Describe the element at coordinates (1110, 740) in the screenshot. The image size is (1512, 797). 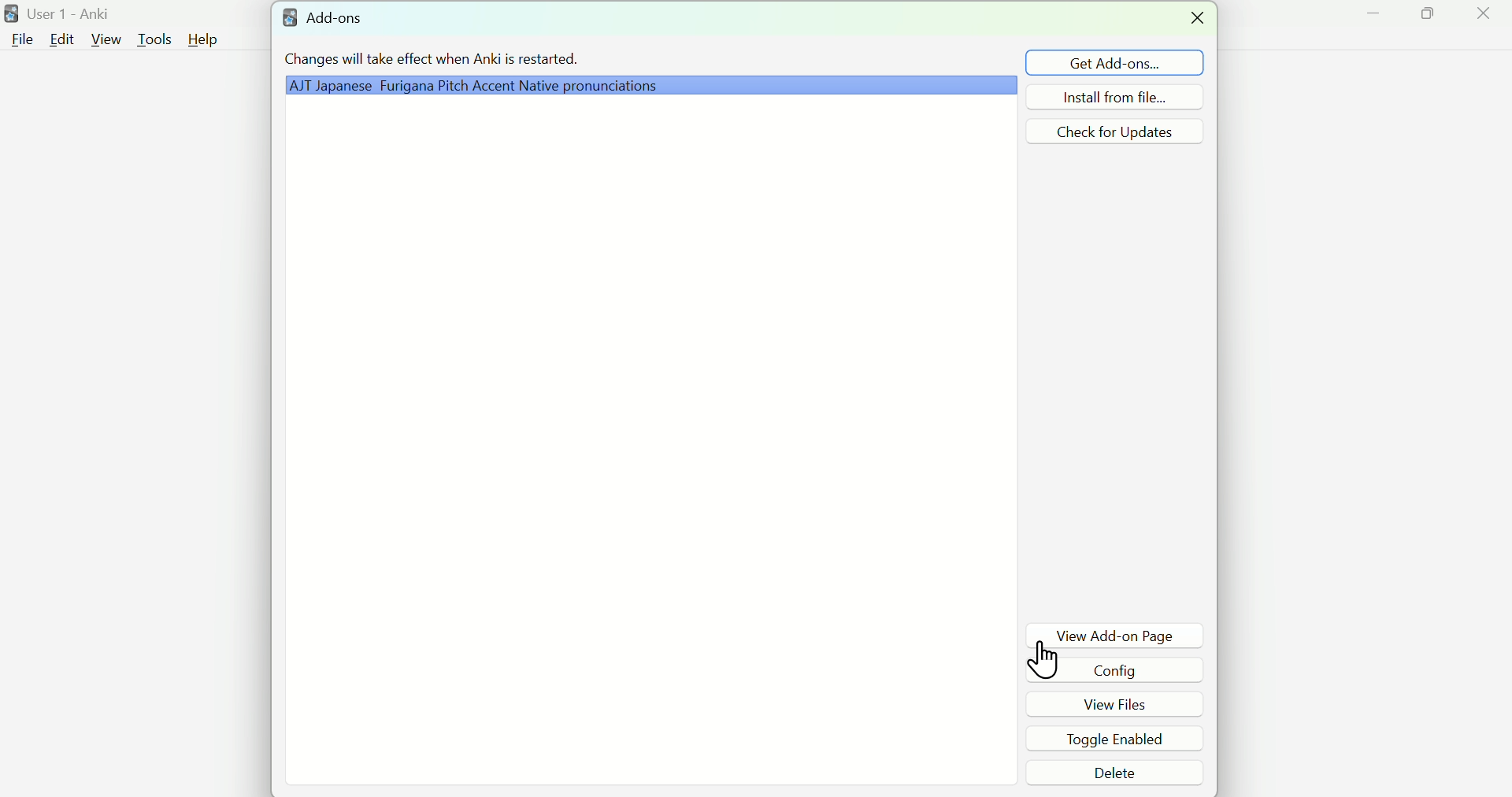
I see `Toggle Enabled` at that location.